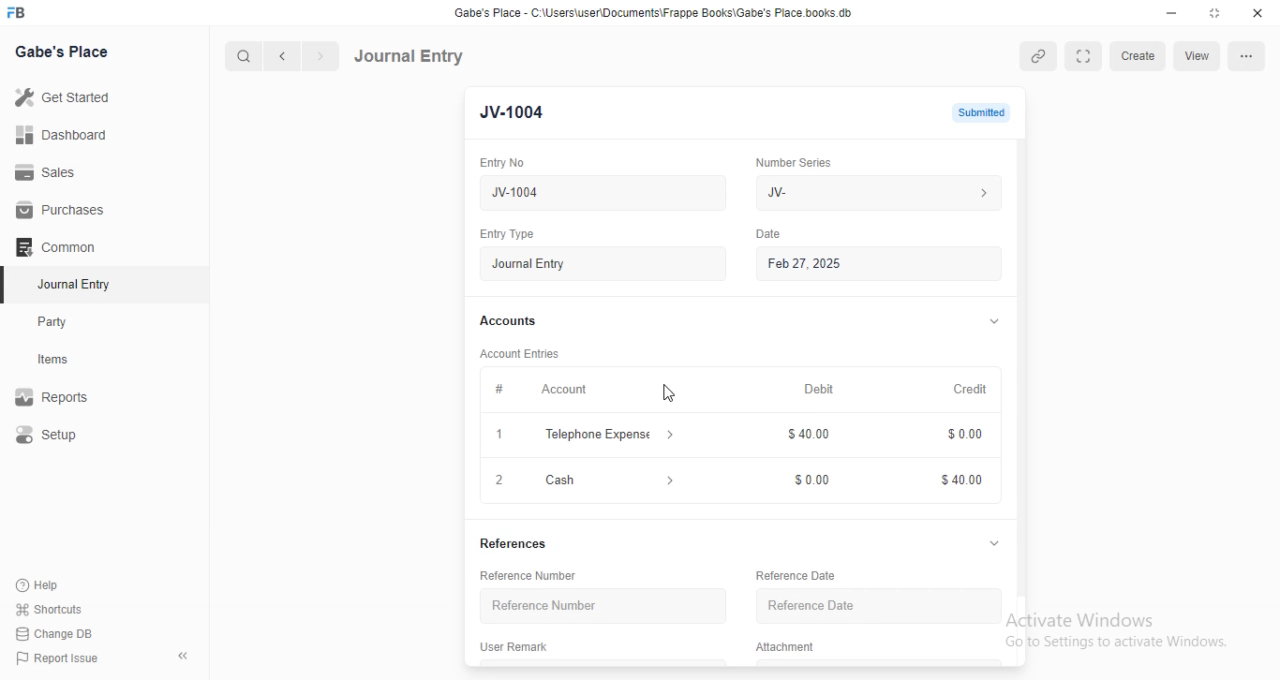 The width and height of the screenshot is (1280, 680). What do you see at coordinates (958, 436) in the screenshot?
I see `0.00` at bounding box center [958, 436].